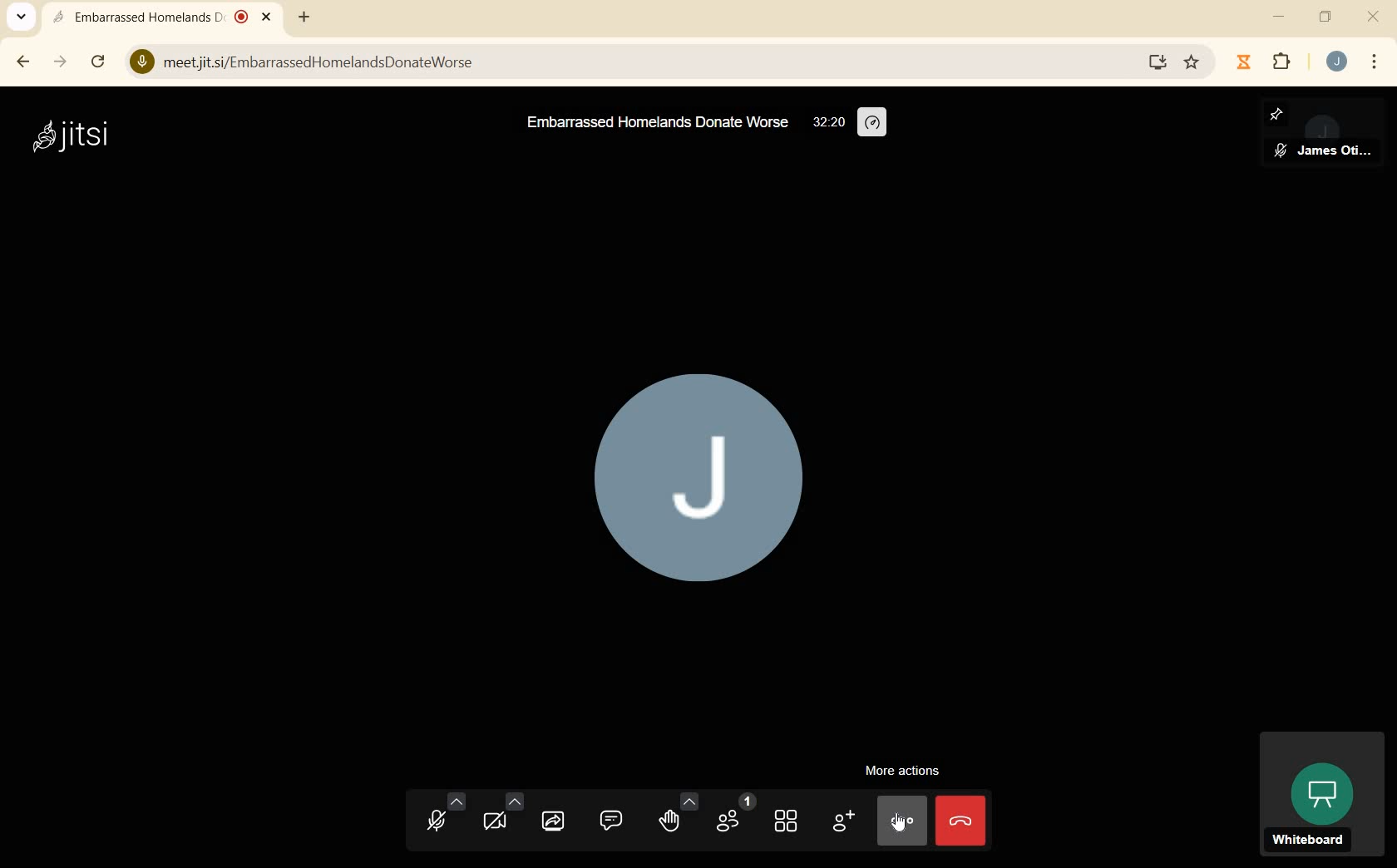  I want to click on system name, so click(69, 136).